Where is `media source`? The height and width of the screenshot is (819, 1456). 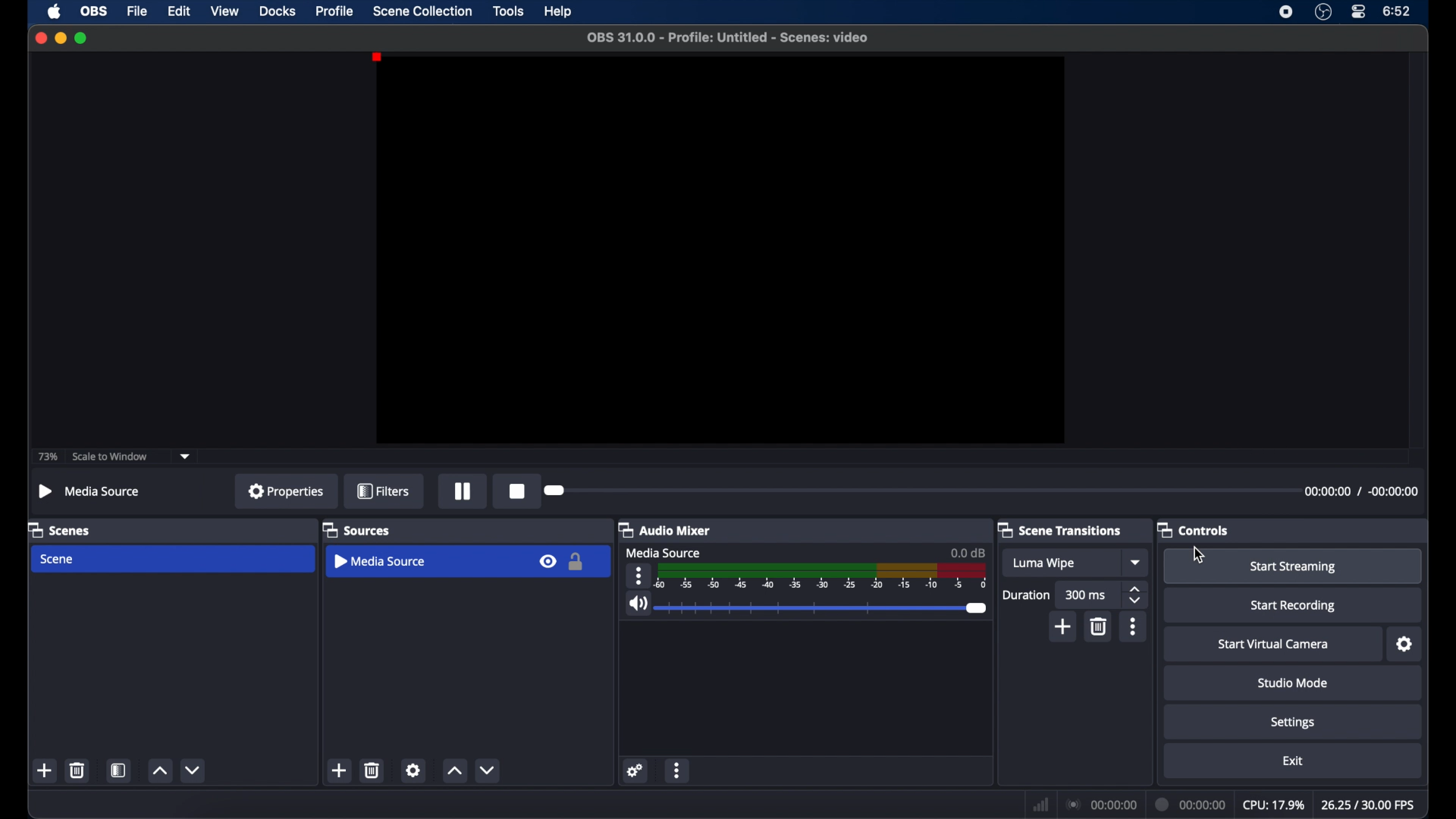
media source is located at coordinates (379, 560).